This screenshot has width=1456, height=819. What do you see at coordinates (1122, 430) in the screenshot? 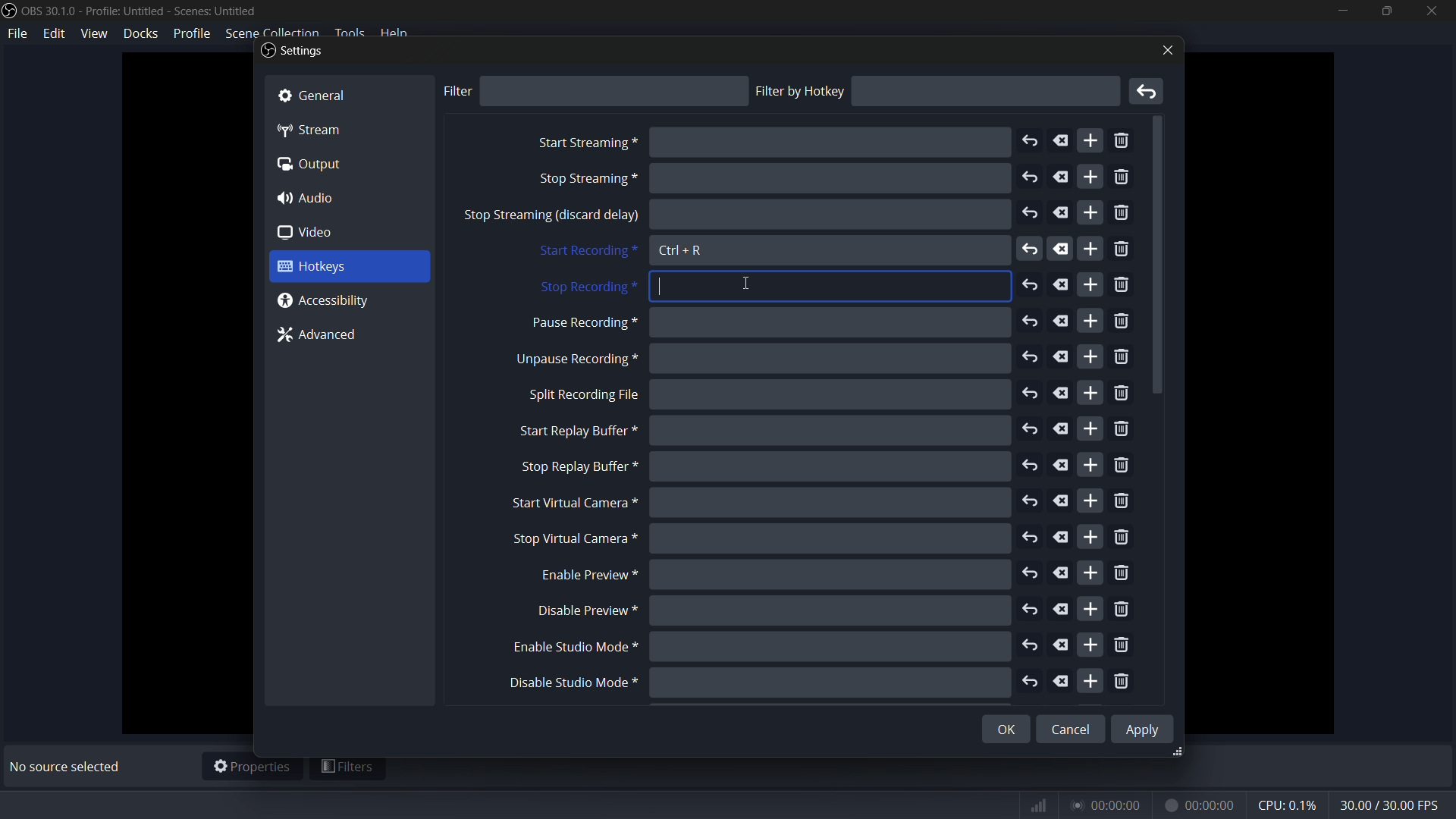
I see `remove` at bounding box center [1122, 430].